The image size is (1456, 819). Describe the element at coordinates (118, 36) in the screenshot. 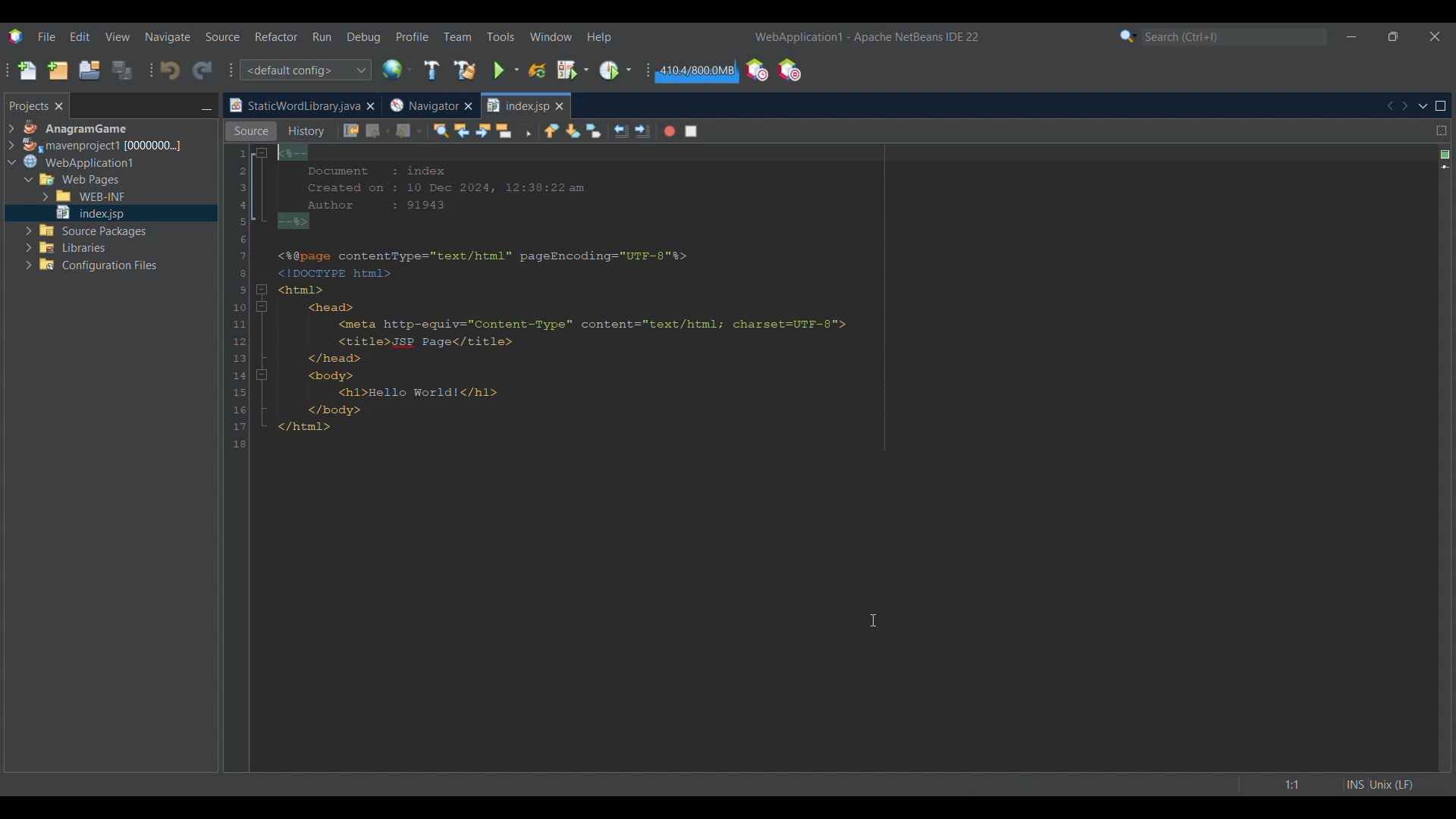

I see `View menu` at that location.